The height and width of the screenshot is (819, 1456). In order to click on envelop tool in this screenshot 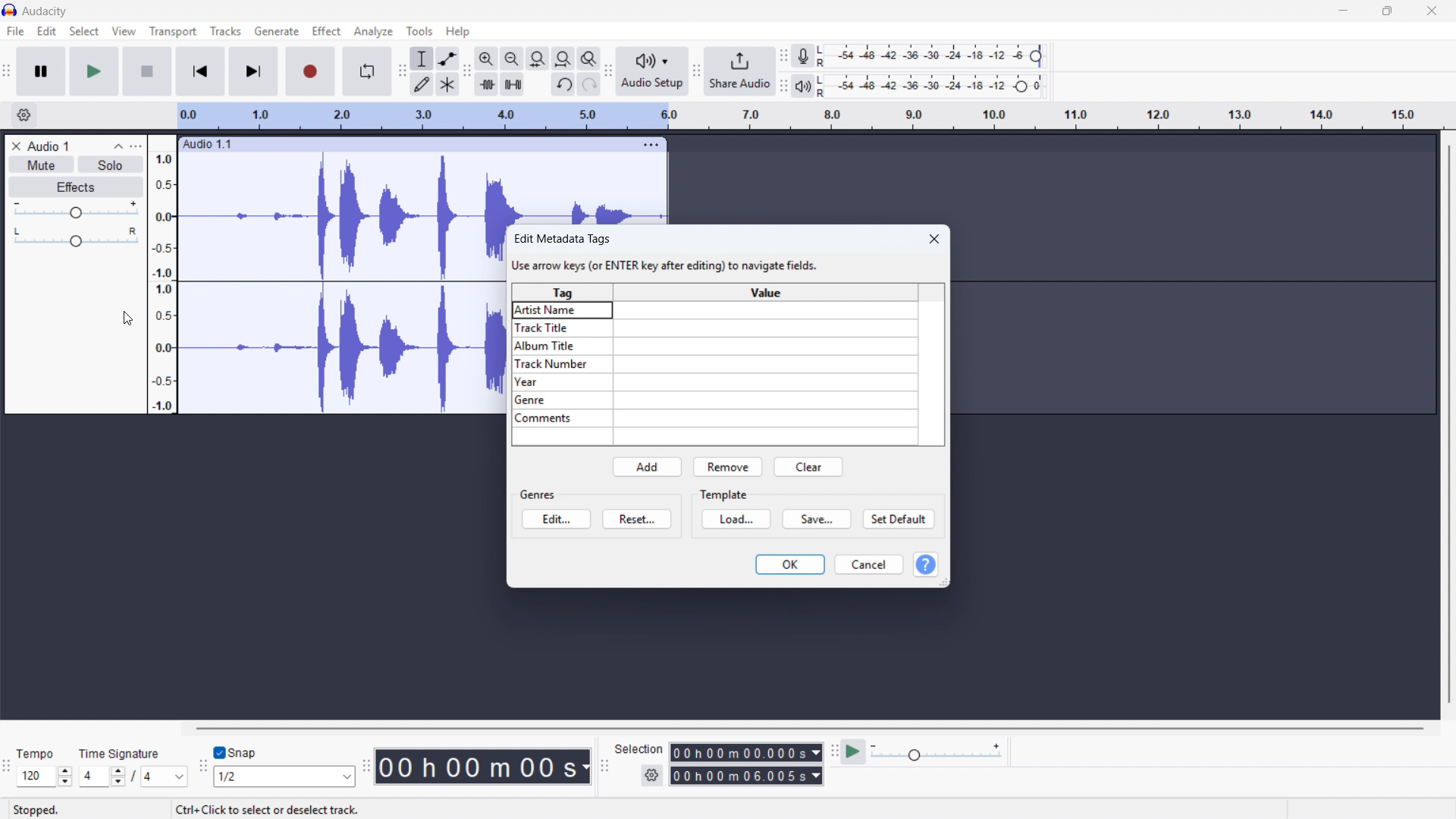, I will do `click(448, 58)`.